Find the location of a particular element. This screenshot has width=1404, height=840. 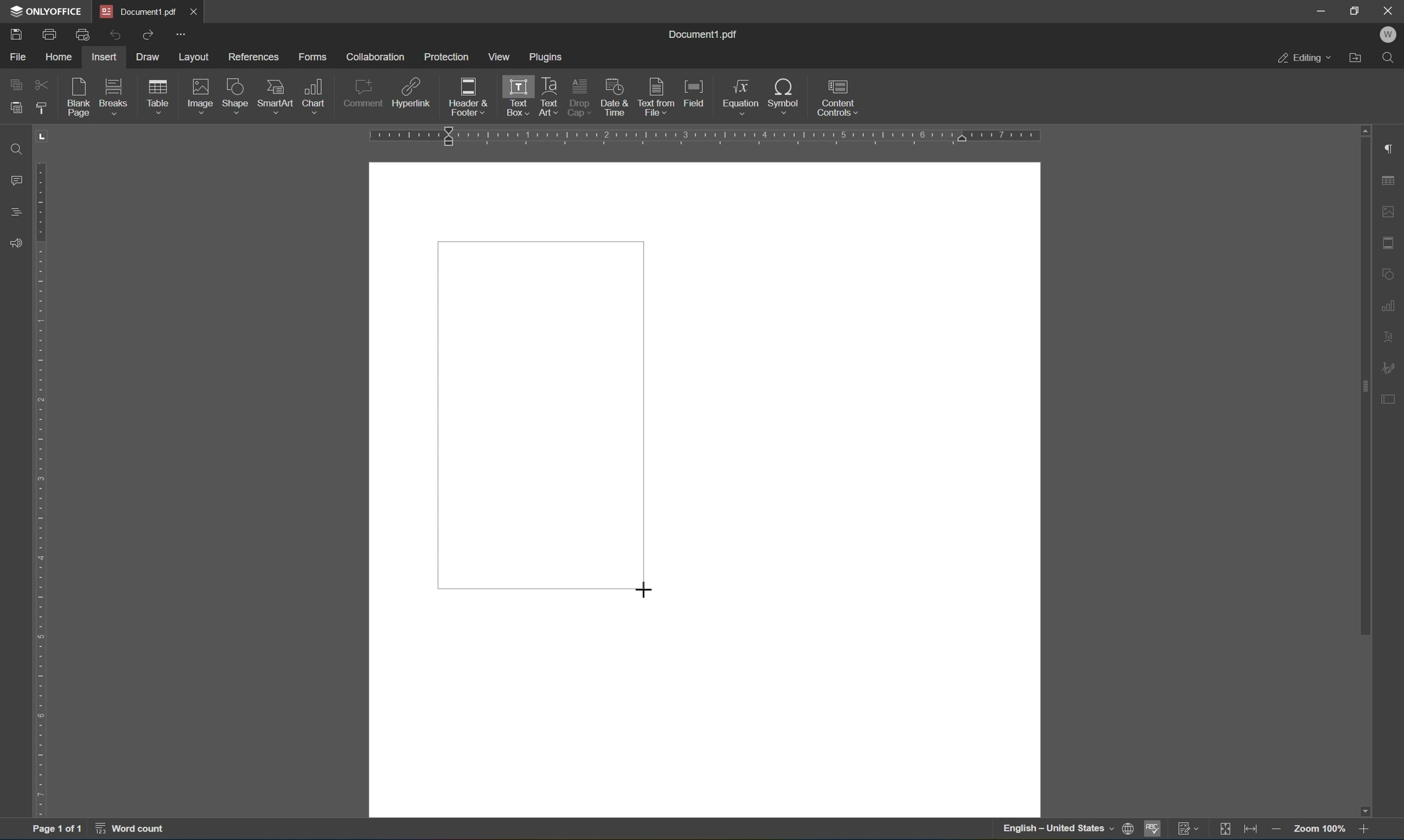

english - united states is located at coordinates (1059, 830).